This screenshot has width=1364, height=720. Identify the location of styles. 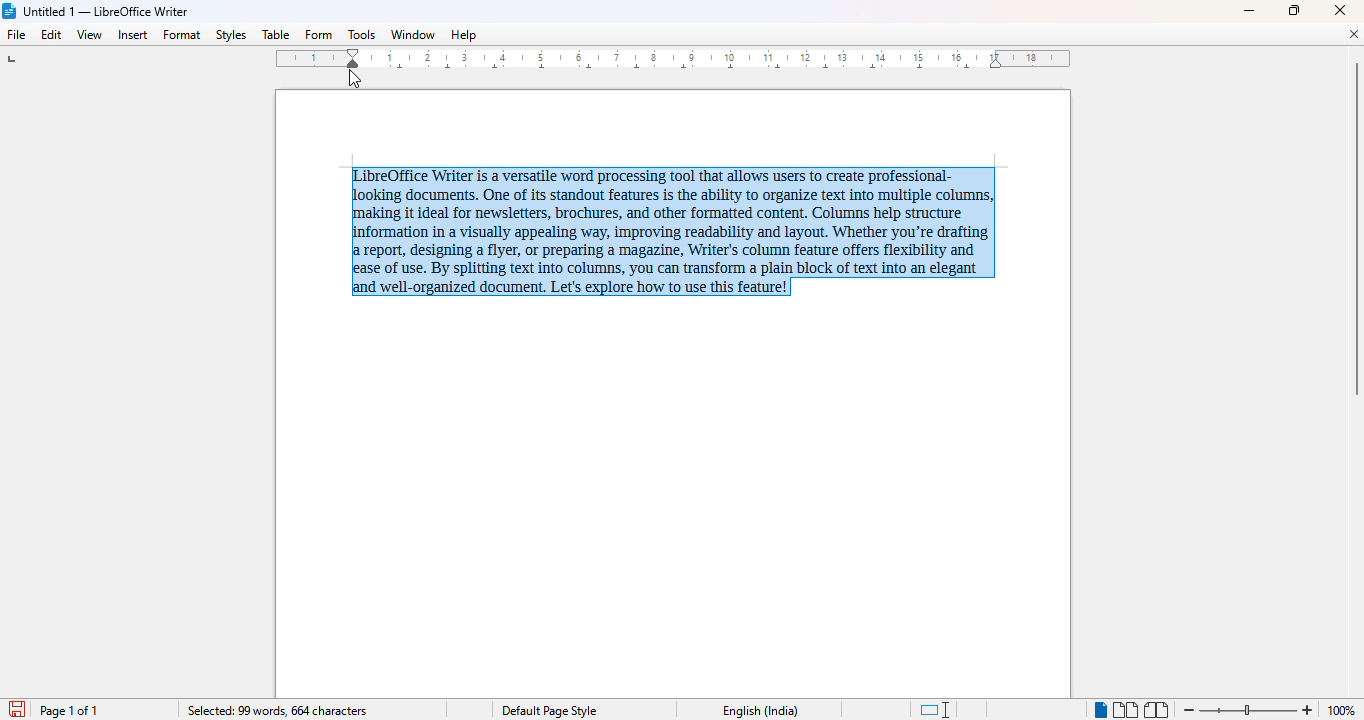
(230, 34).